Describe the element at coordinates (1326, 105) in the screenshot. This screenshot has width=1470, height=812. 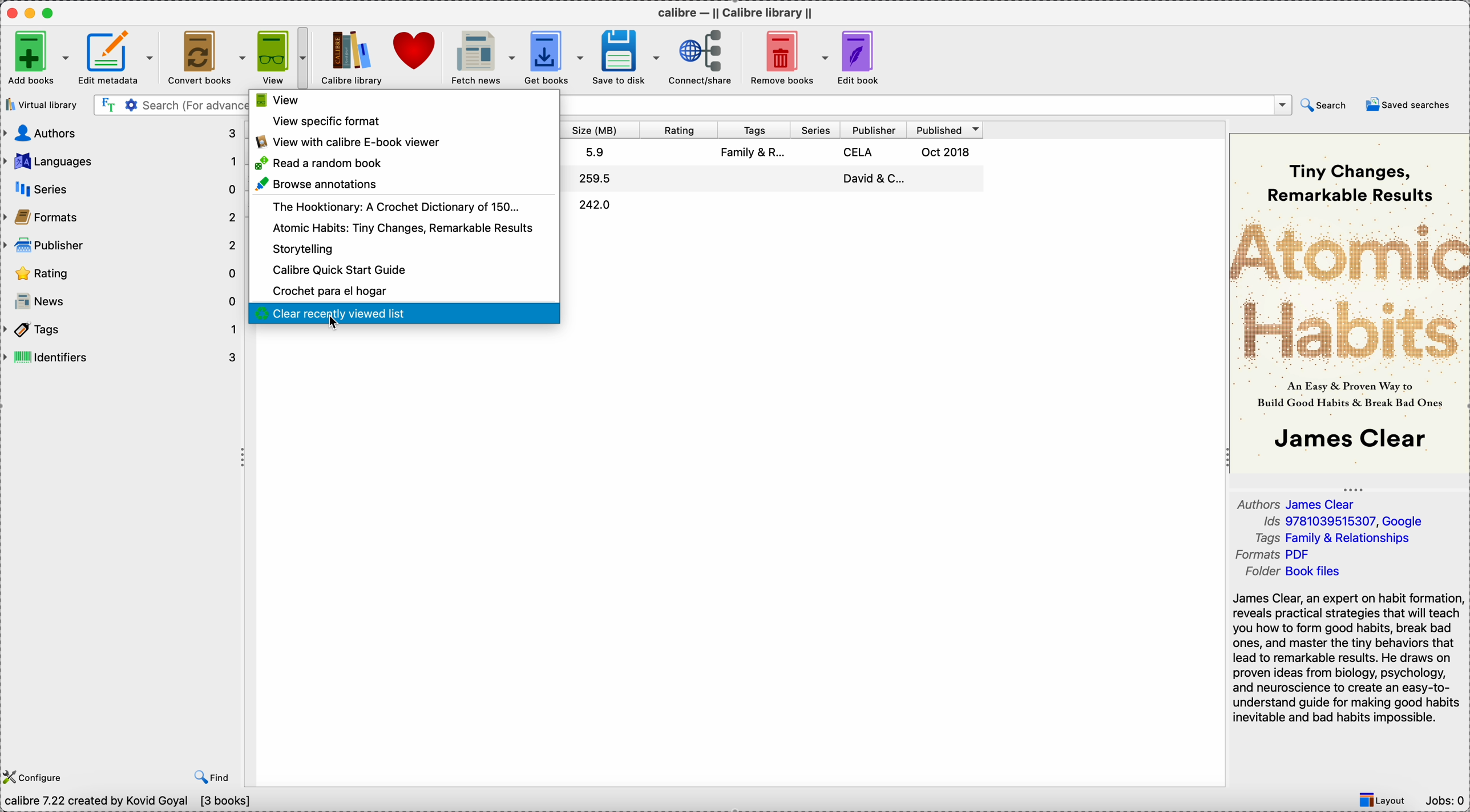
I see `search` at that location.